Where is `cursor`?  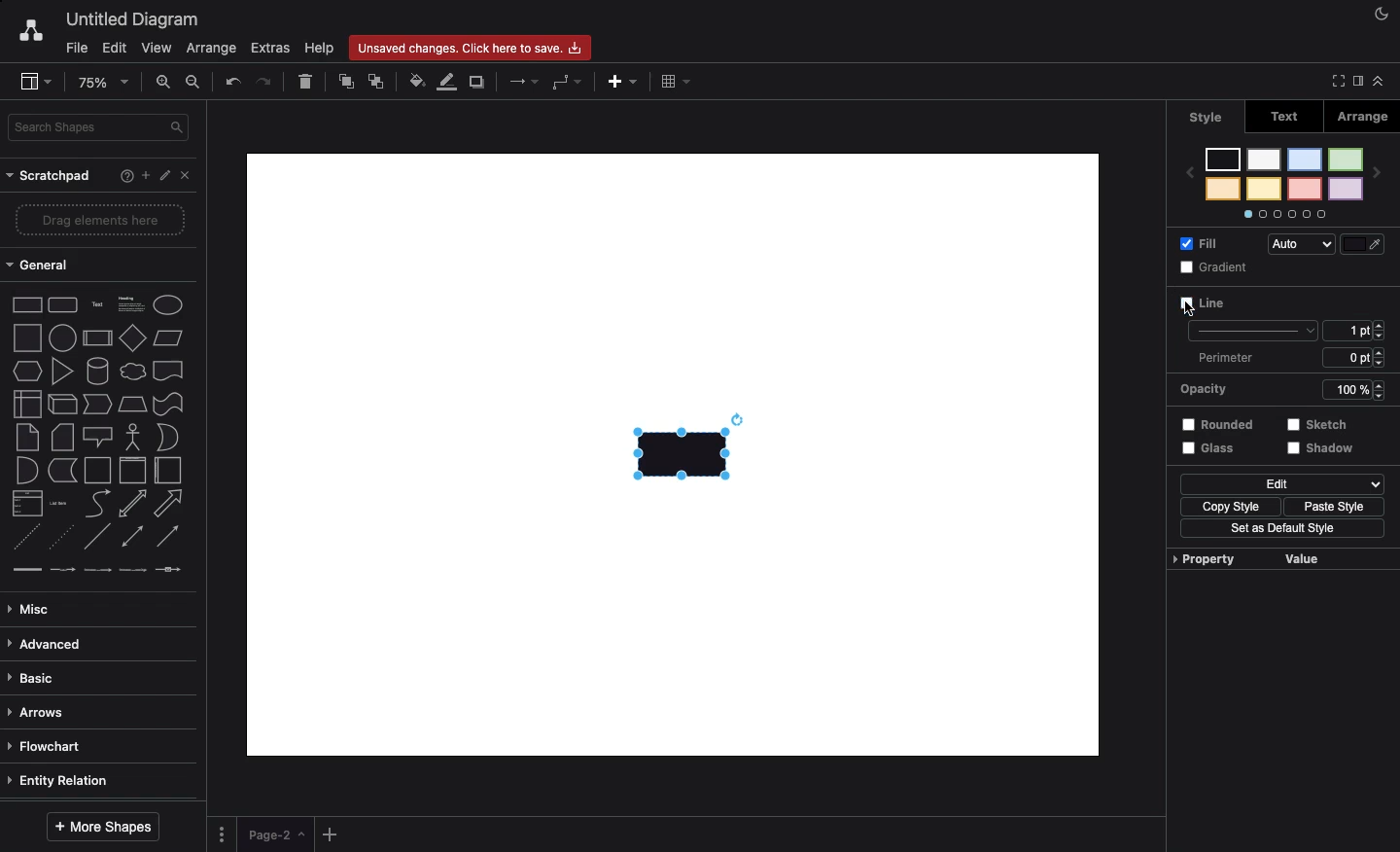
cursor is located at coordinates (1178, 305).